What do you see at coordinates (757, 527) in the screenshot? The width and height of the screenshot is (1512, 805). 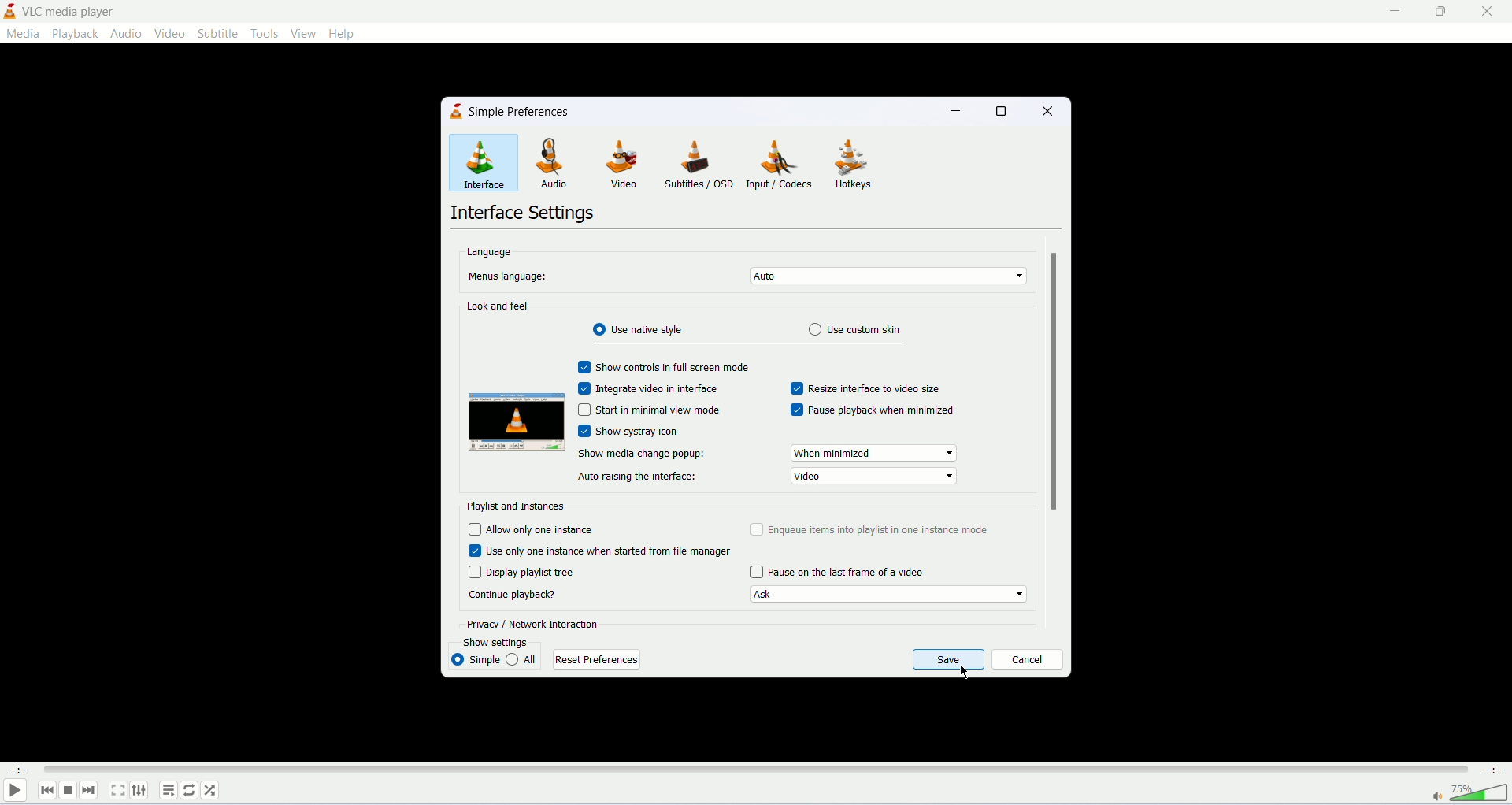 I see `check box` at bounding box center [757, 527].